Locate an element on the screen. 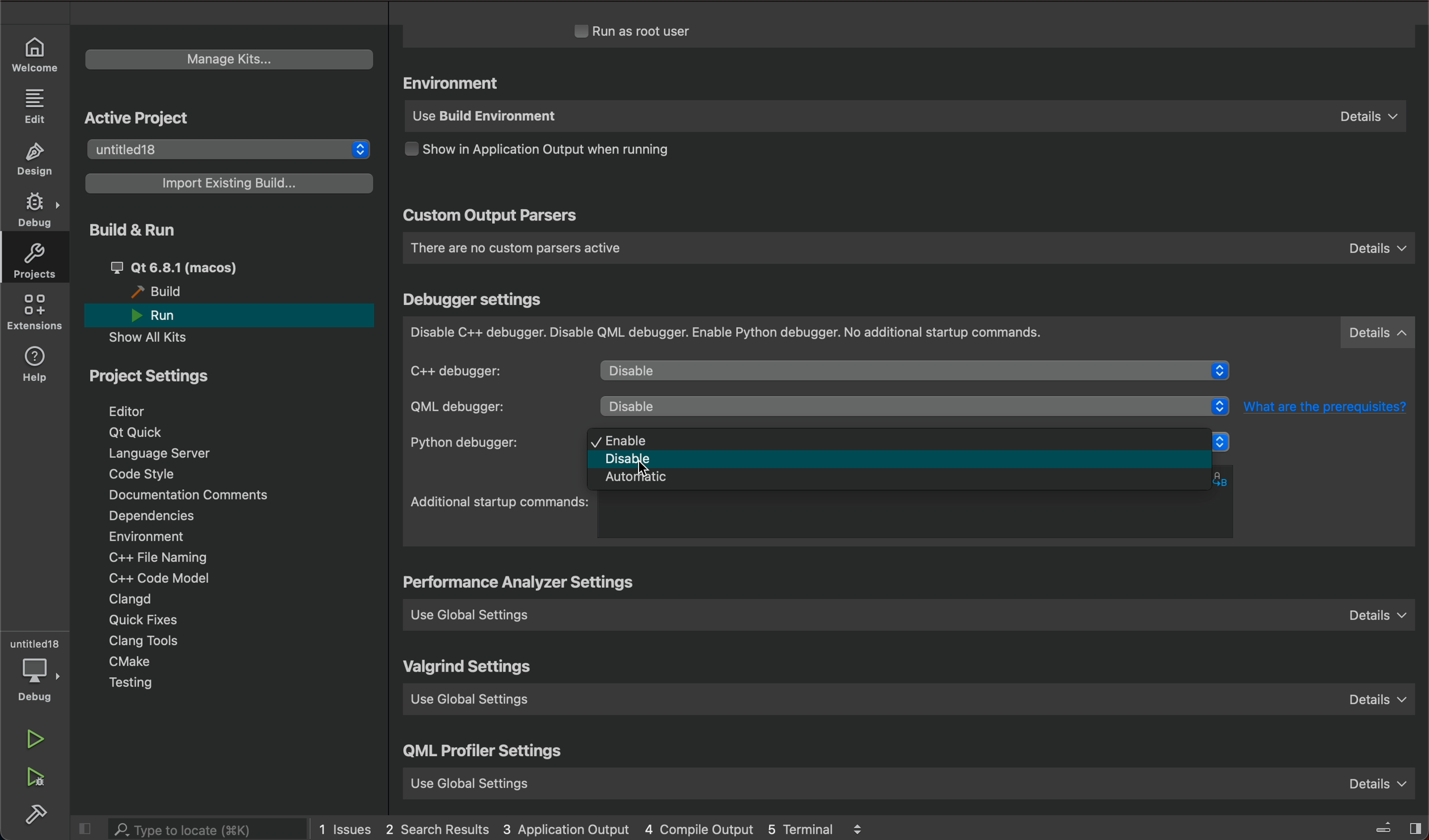 This screenshot has height=840, width=1429. run as root user is located at coordinates (647, 31).